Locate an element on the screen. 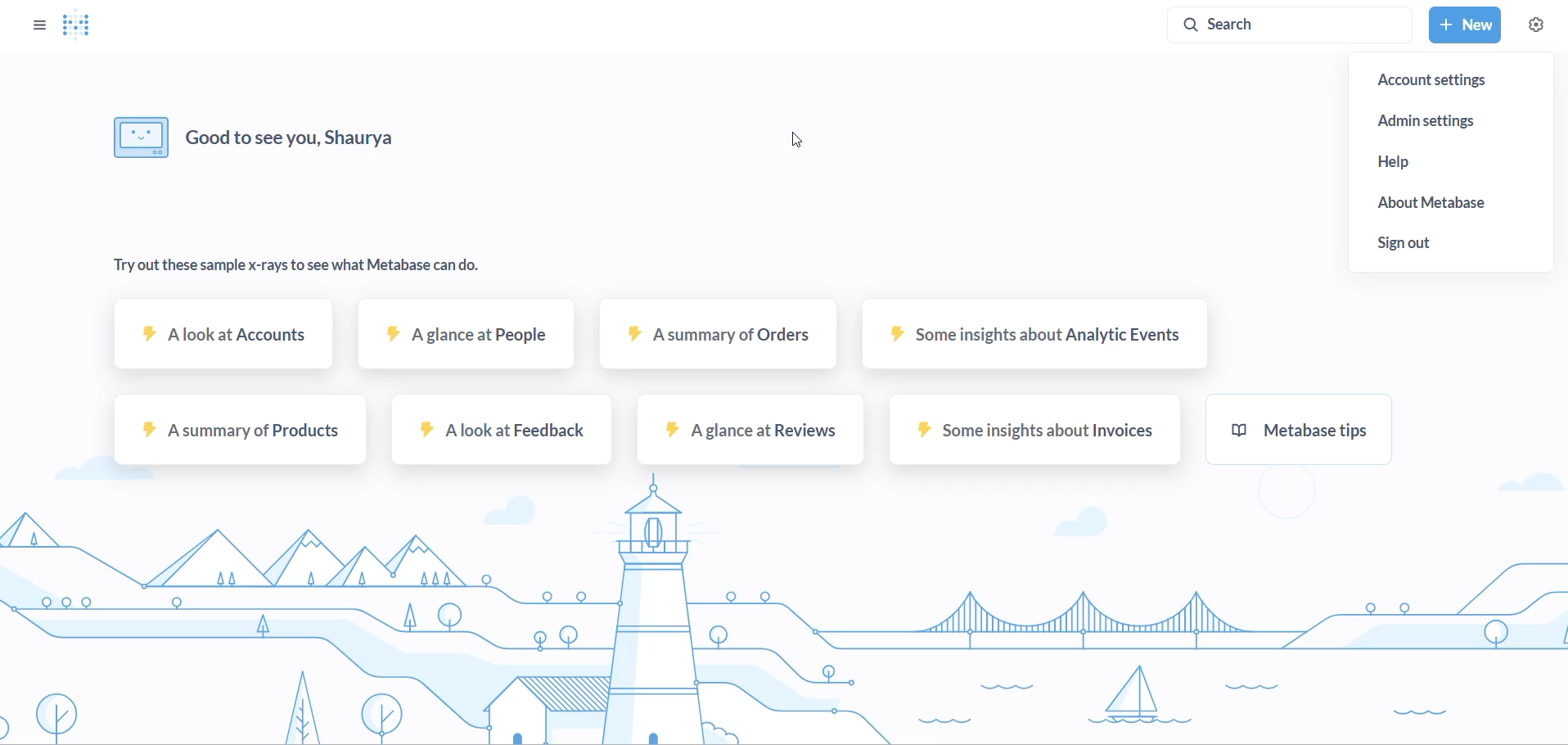  A look at feedback is located at coordinates (500, 435).